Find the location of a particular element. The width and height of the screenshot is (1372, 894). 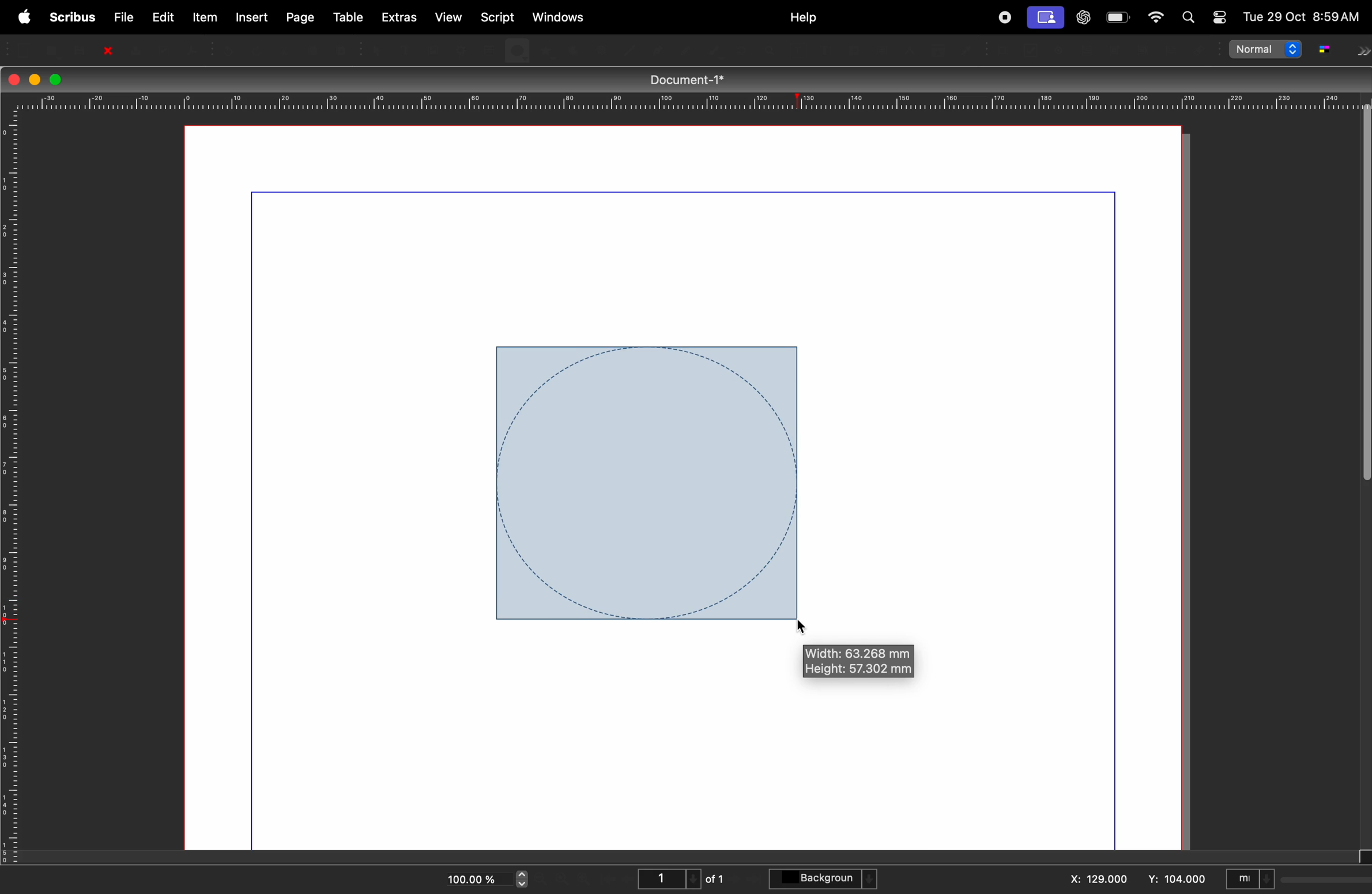

item is located at coordinates (205, 17).